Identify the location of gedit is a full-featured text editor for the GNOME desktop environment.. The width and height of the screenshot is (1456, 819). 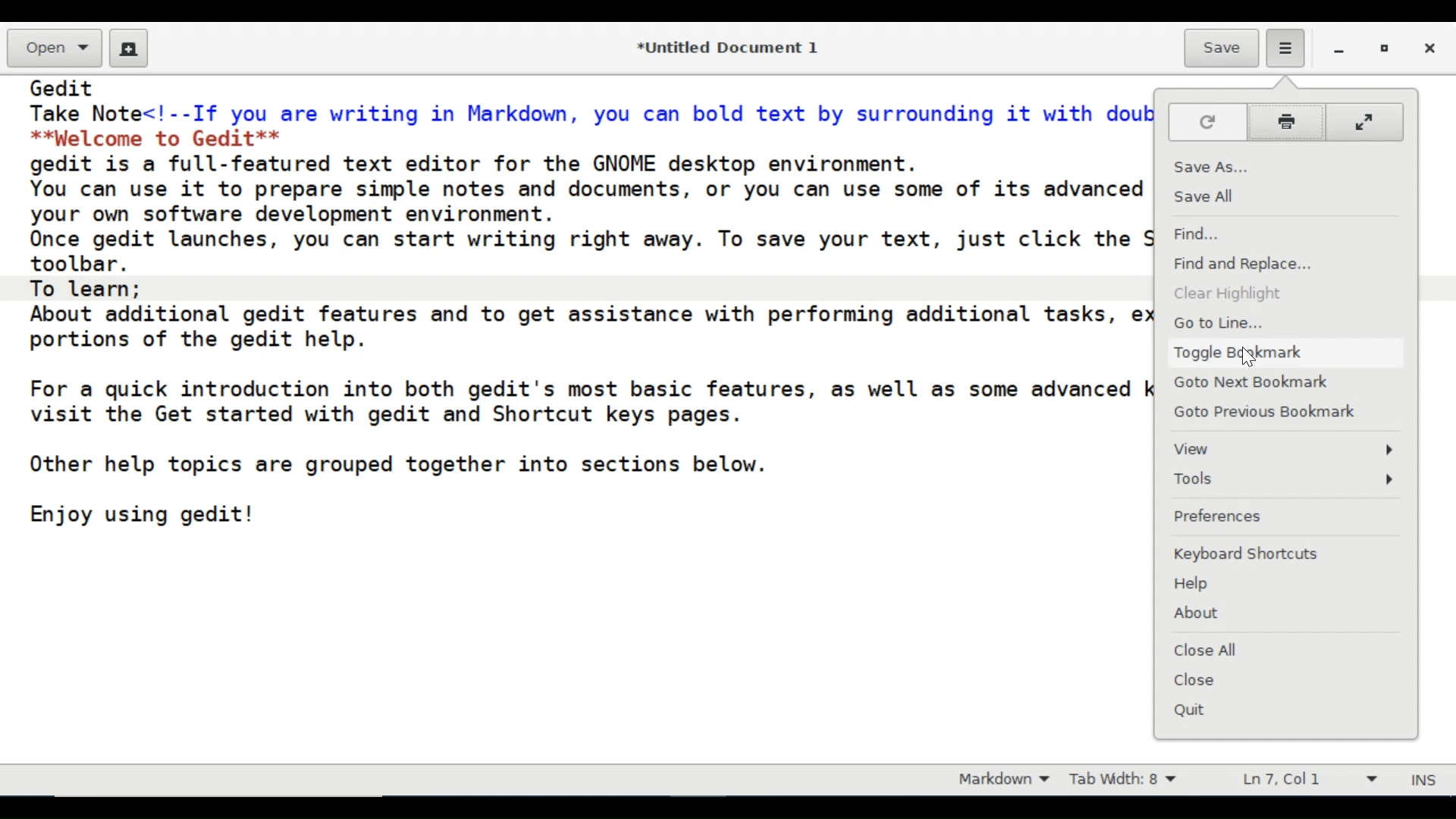
(485, 162).